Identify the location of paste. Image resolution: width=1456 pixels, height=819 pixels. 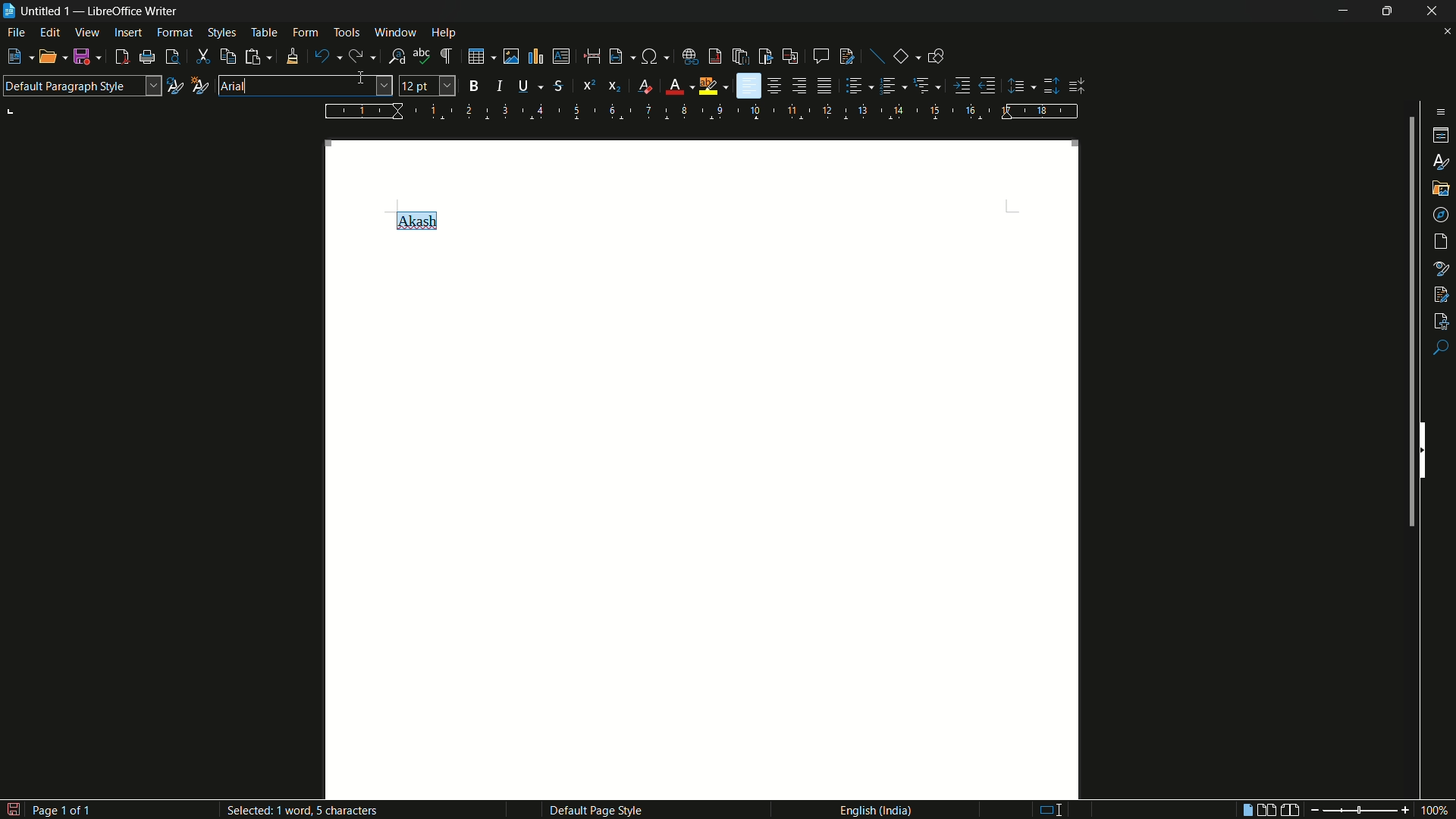
(258, 56).